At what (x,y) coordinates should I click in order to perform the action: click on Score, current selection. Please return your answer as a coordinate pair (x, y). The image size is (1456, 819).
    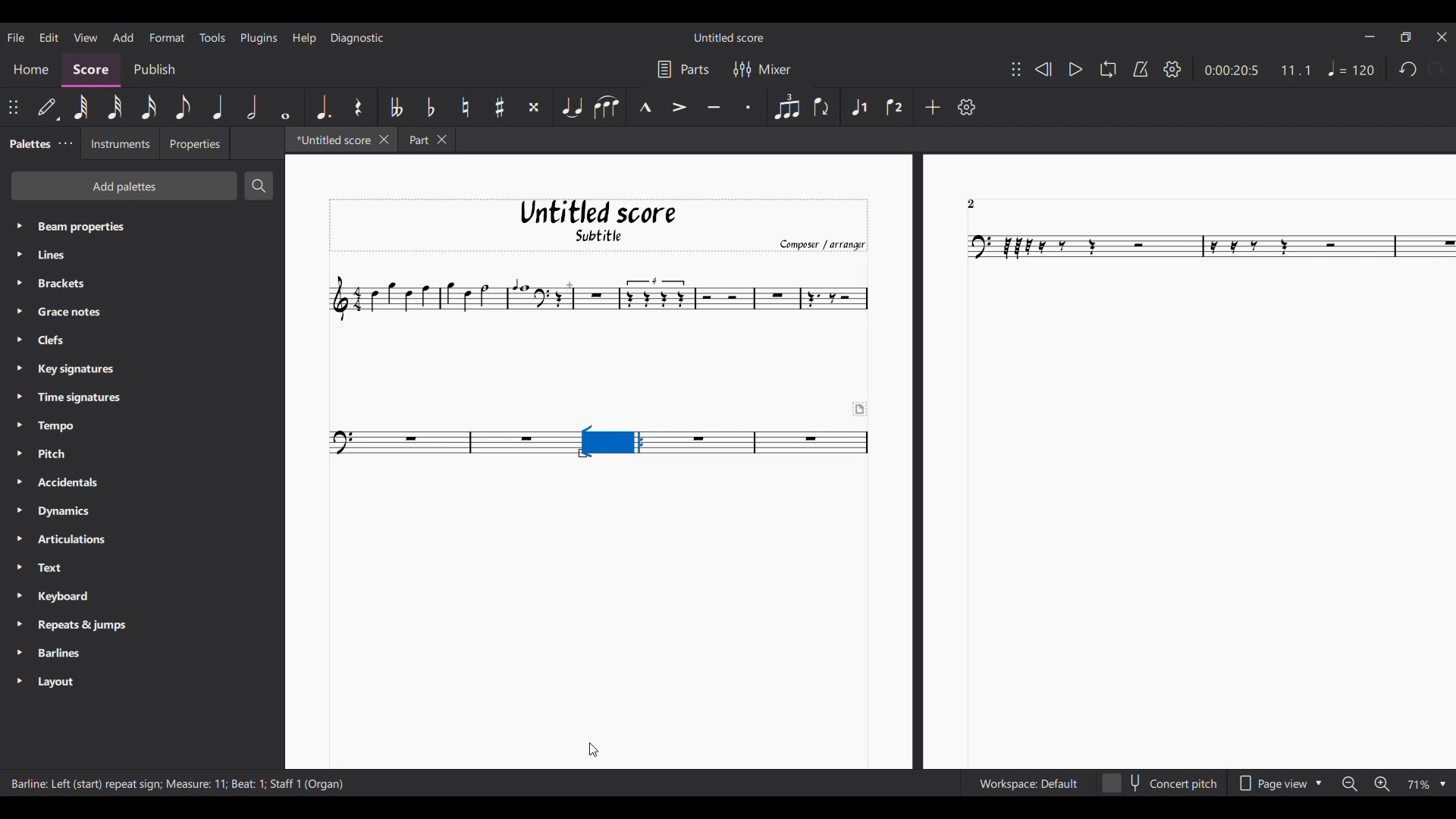
    Looking at the image, I should click on (91, 71).